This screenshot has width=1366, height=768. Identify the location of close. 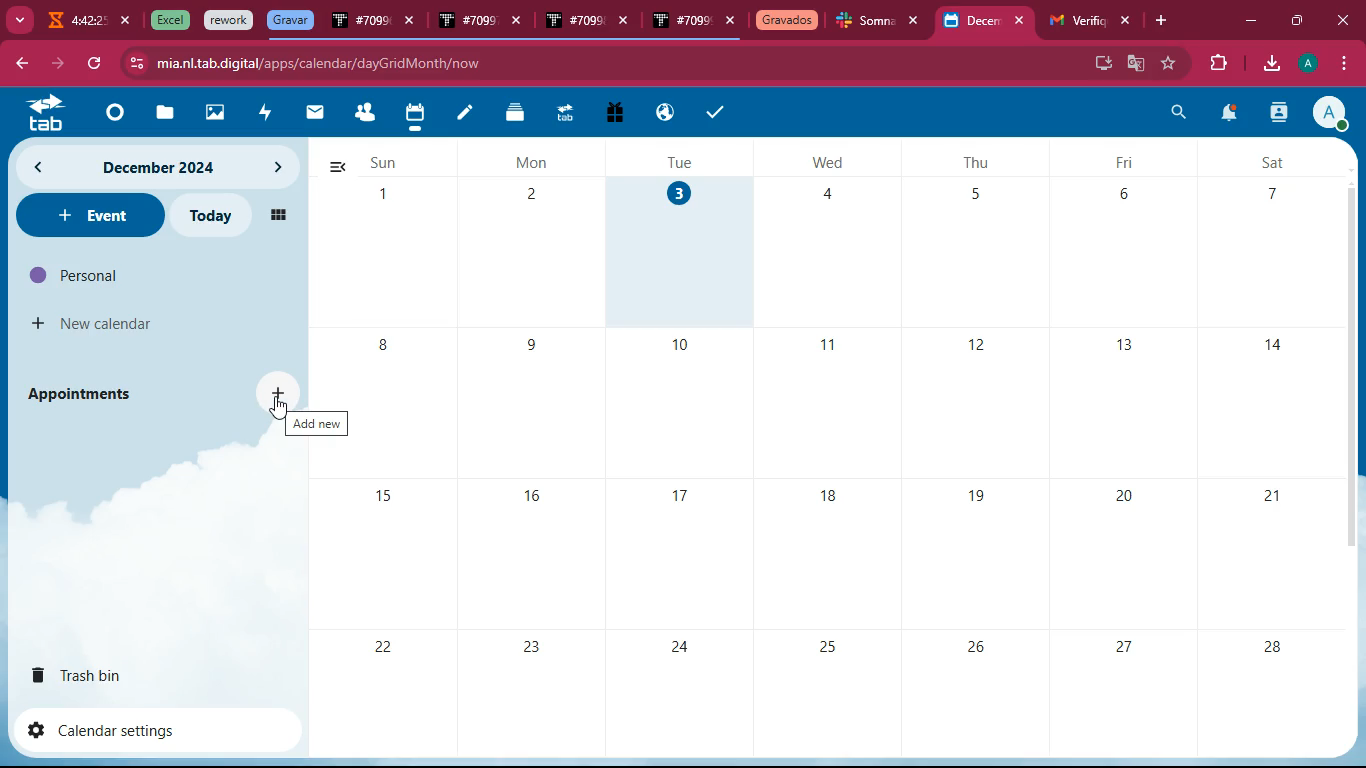
(521, 24).